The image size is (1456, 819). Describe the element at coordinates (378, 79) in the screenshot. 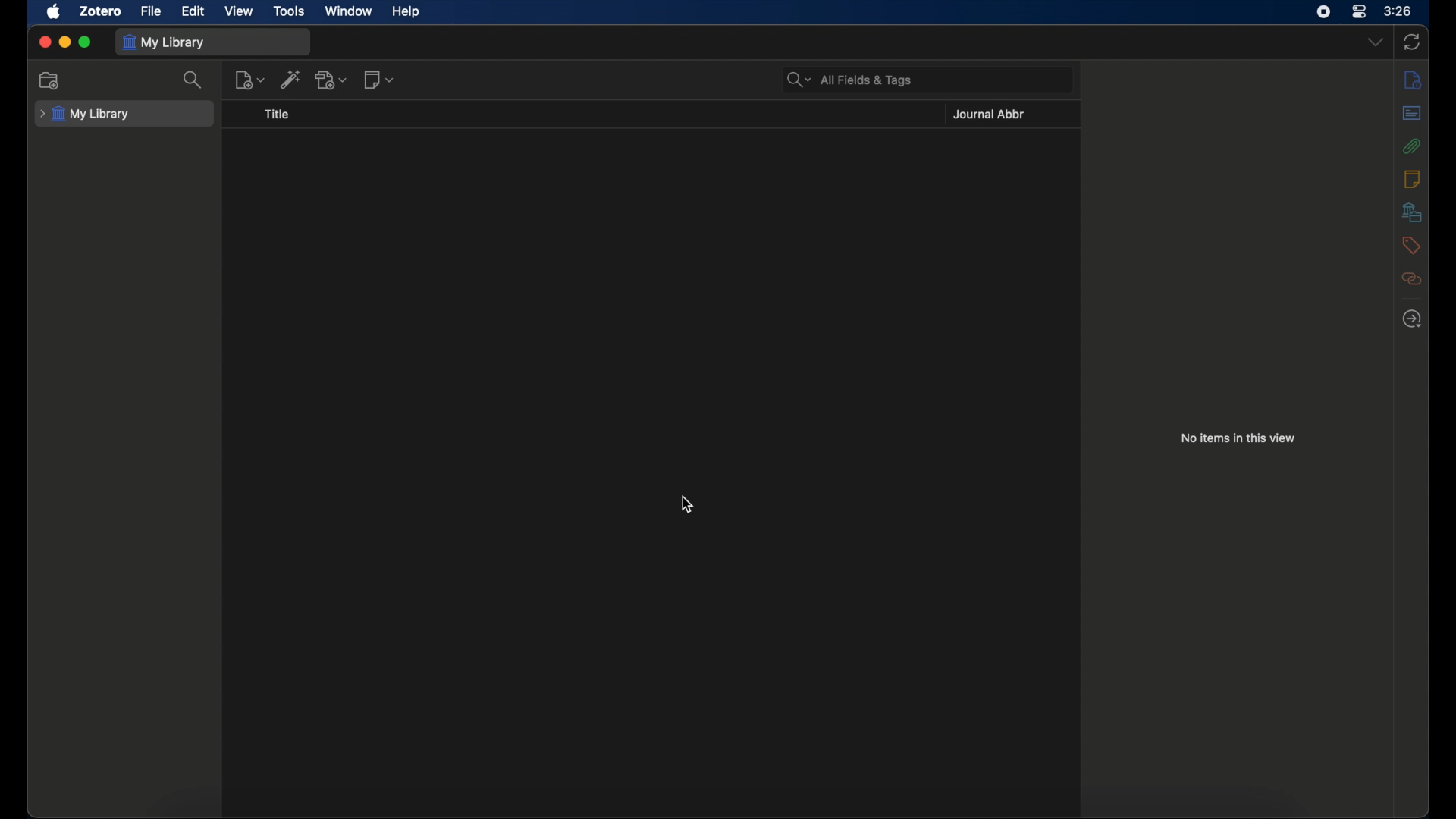

I see `new notes` at that location.